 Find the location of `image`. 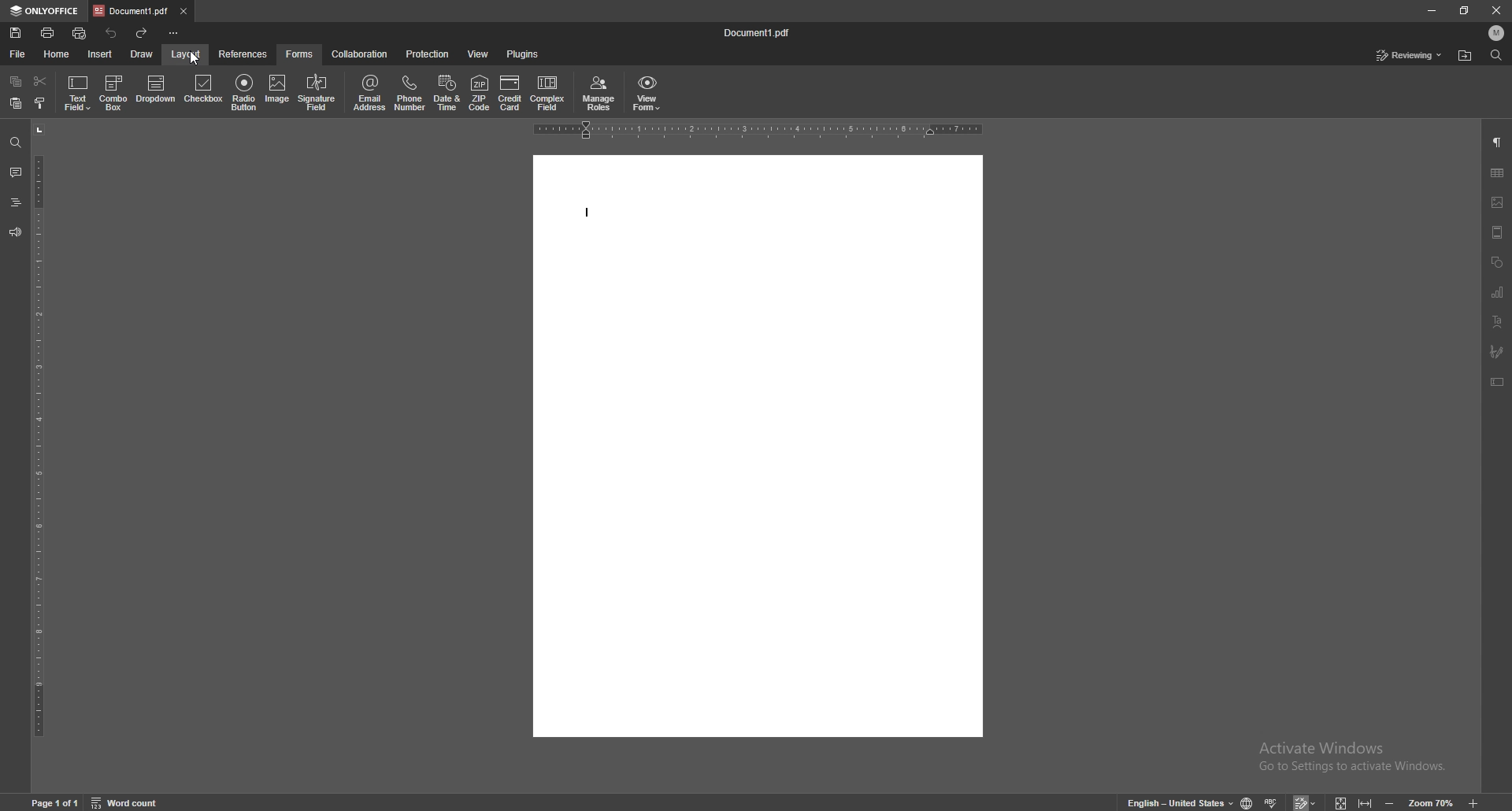

image is located at coordinates (1497, 203).